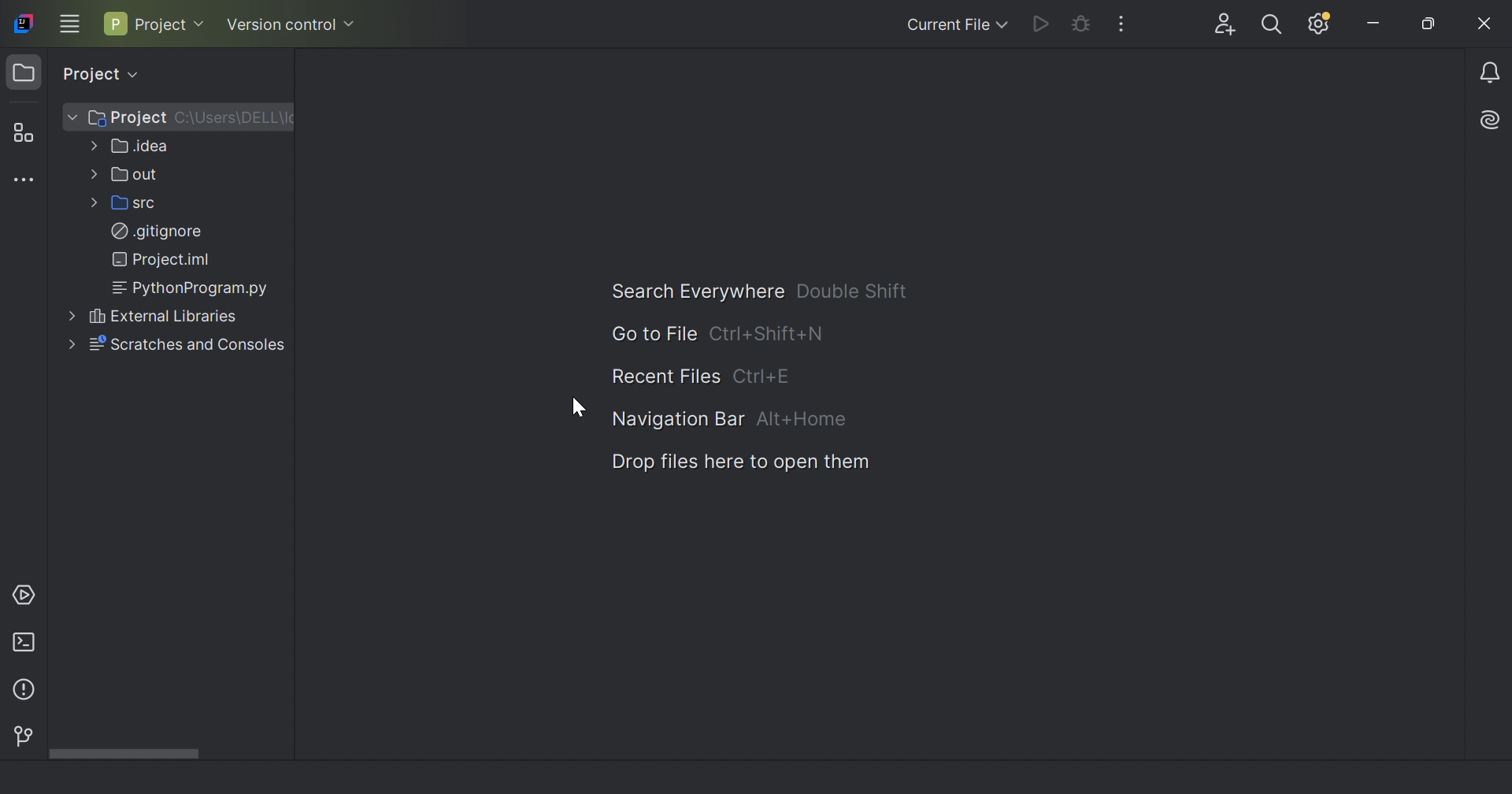 The image size is (1512, 794). What do you see at coordinates (802, 417) in the screenshot?
I see `Alt+Home` at bounding box center [802, 417].